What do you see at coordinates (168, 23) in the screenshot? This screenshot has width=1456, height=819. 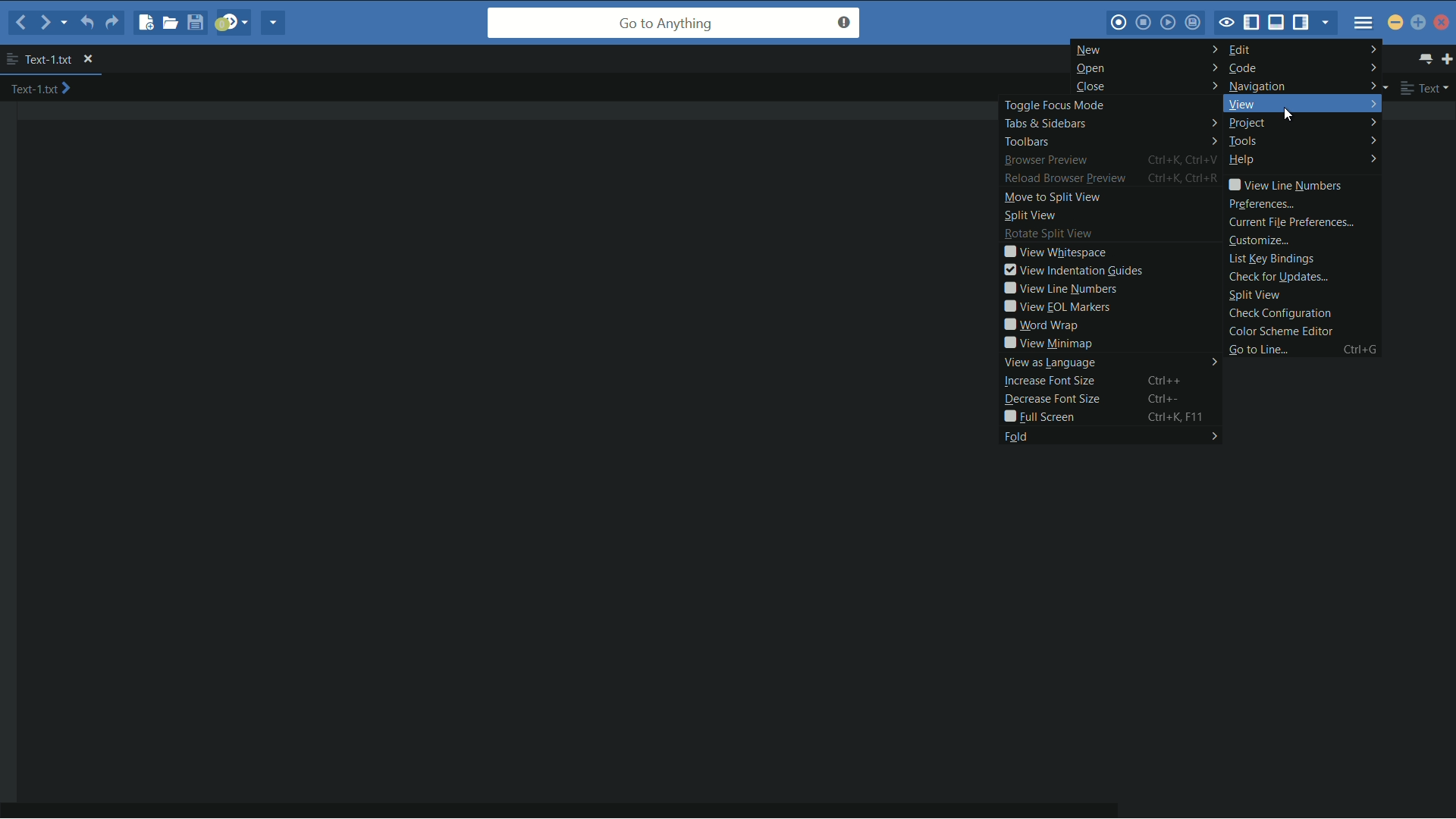 I see `open file` at bounding box center [168, 23].